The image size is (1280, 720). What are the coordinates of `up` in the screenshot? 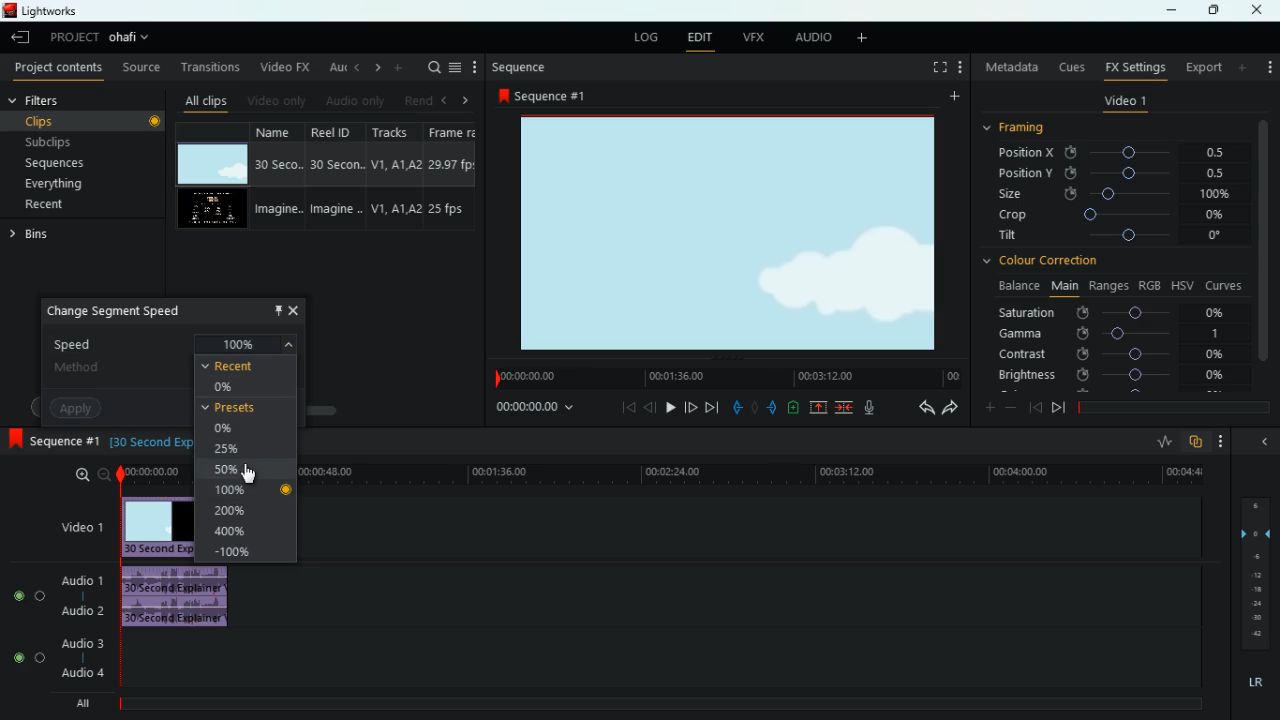 It's located at (820, 407).